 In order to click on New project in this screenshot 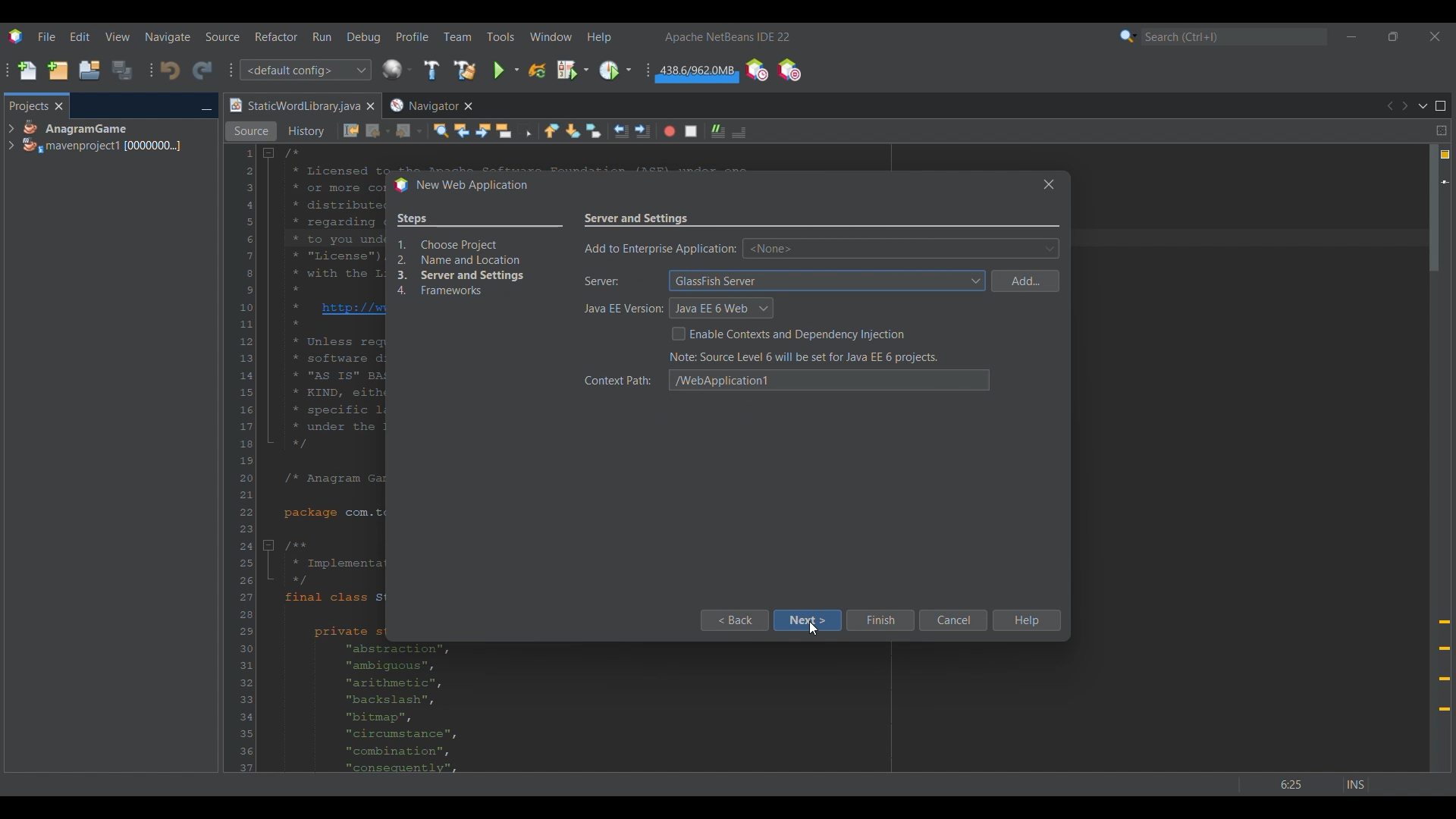, I will do `click(58, 70)`.